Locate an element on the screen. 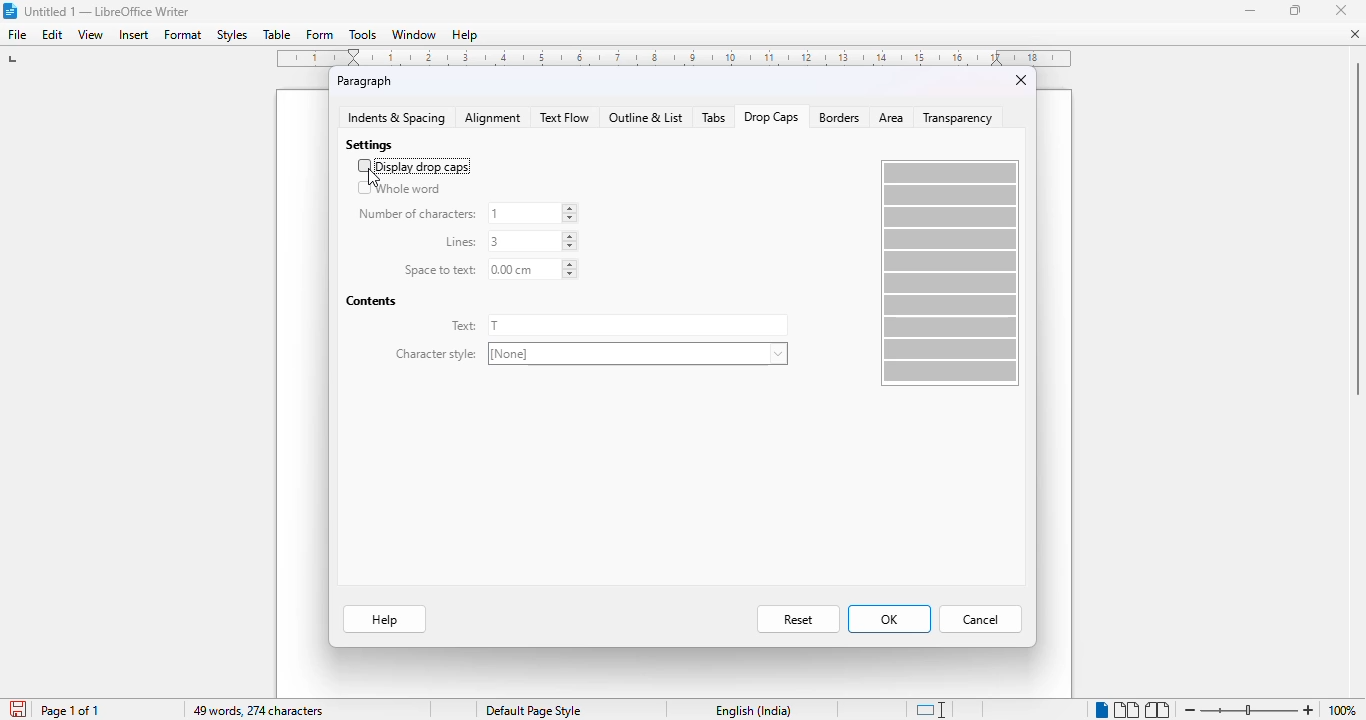 The image size is (1366, 720). page 1 of 1 is located at coordinates (70, 711).